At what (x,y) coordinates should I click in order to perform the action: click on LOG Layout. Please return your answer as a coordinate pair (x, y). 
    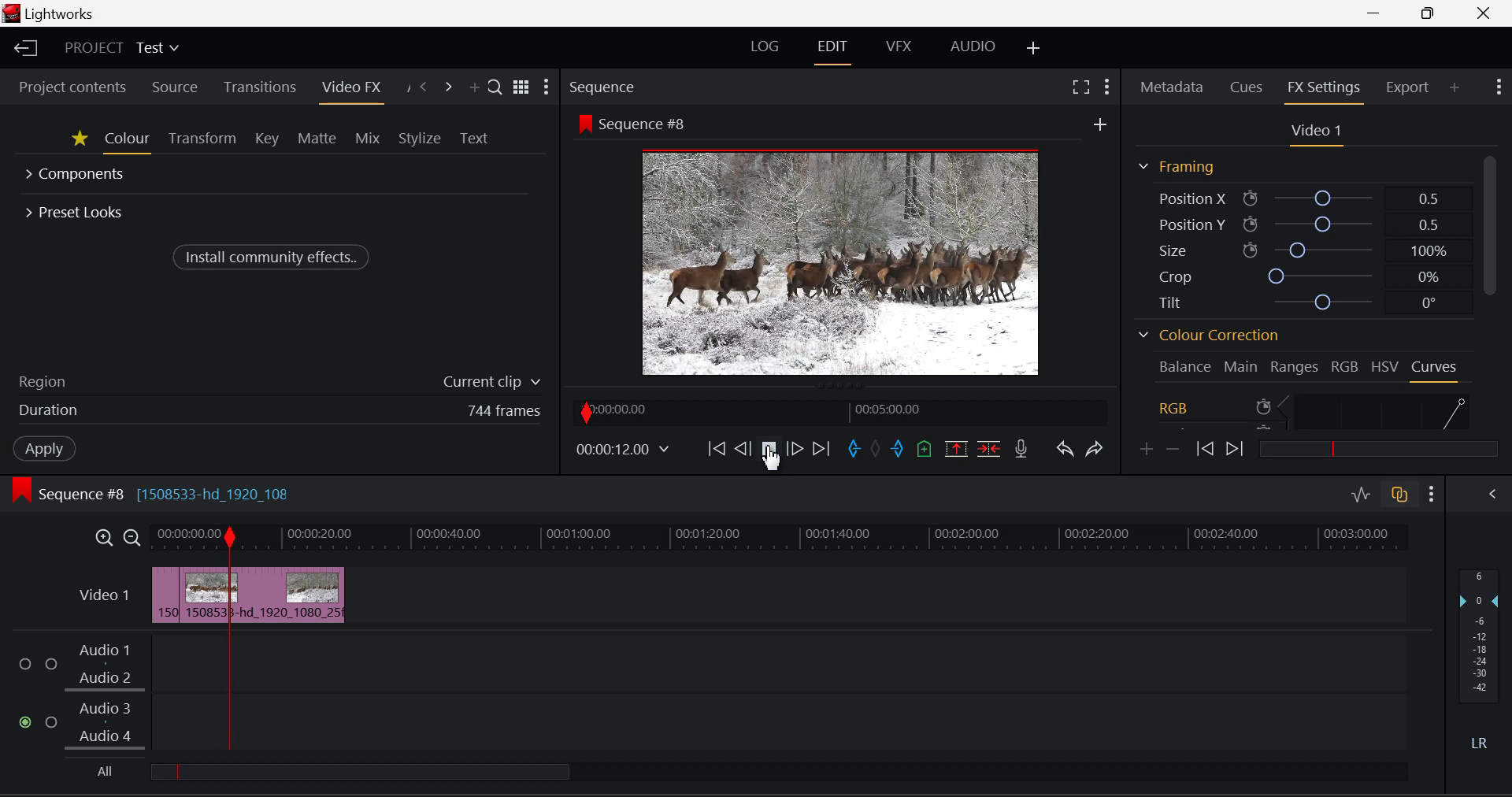
    Looking at the image, I should click on (765, 47).